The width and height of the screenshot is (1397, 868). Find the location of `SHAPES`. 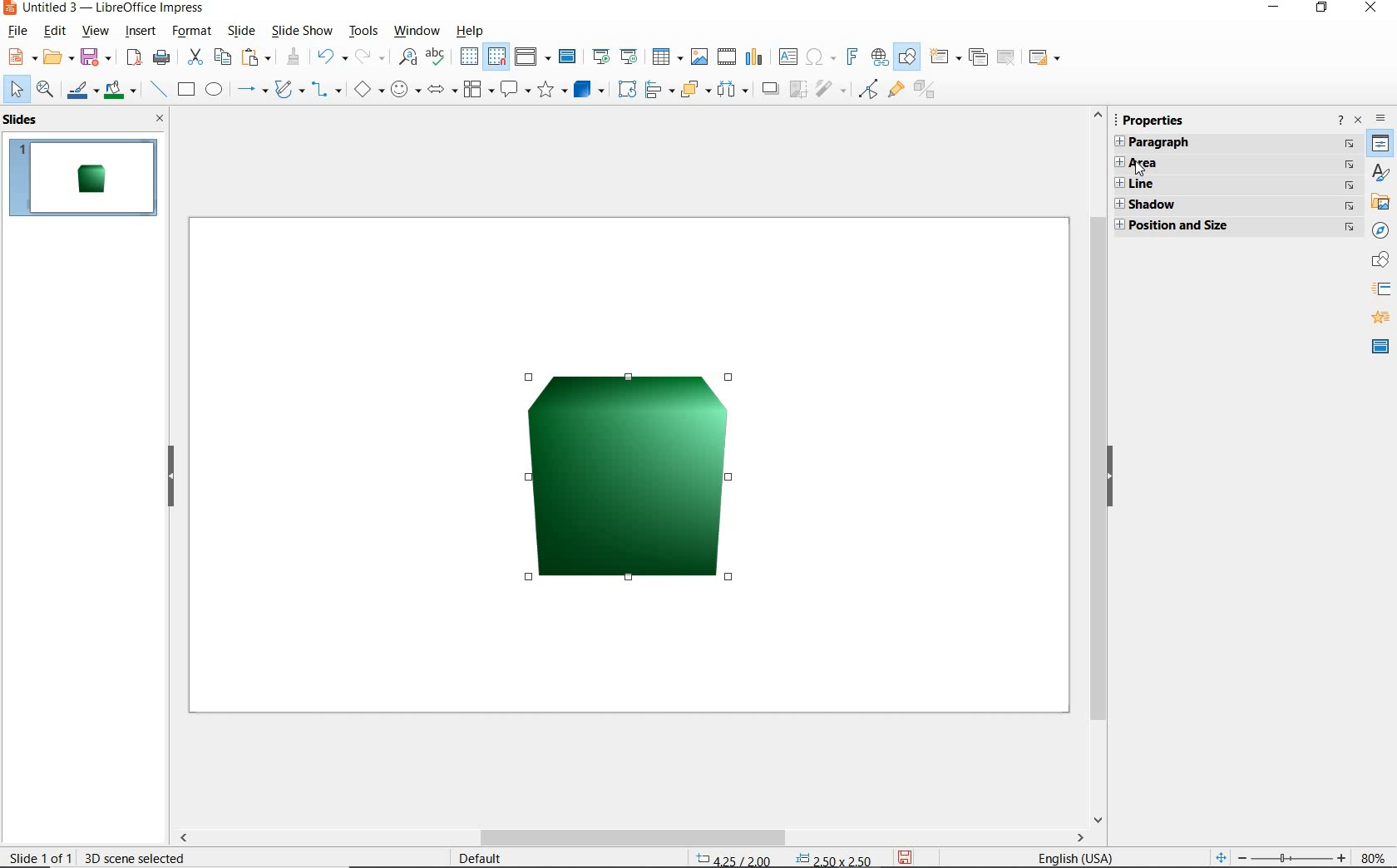

SHAPES is located at coordinates (1378, 260).